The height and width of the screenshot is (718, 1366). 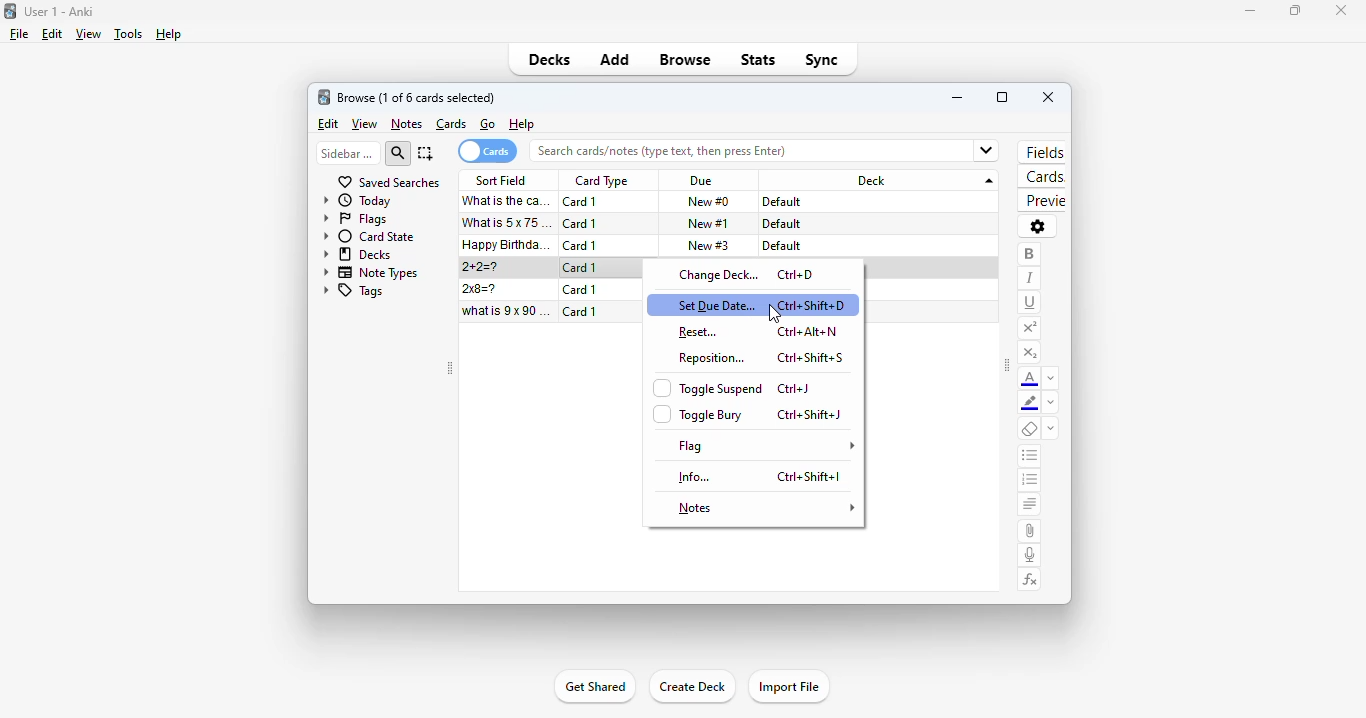 What do you see at coordinates (324, 97) in the screenshot?
I see `logo` at bounding box center [324, 97].